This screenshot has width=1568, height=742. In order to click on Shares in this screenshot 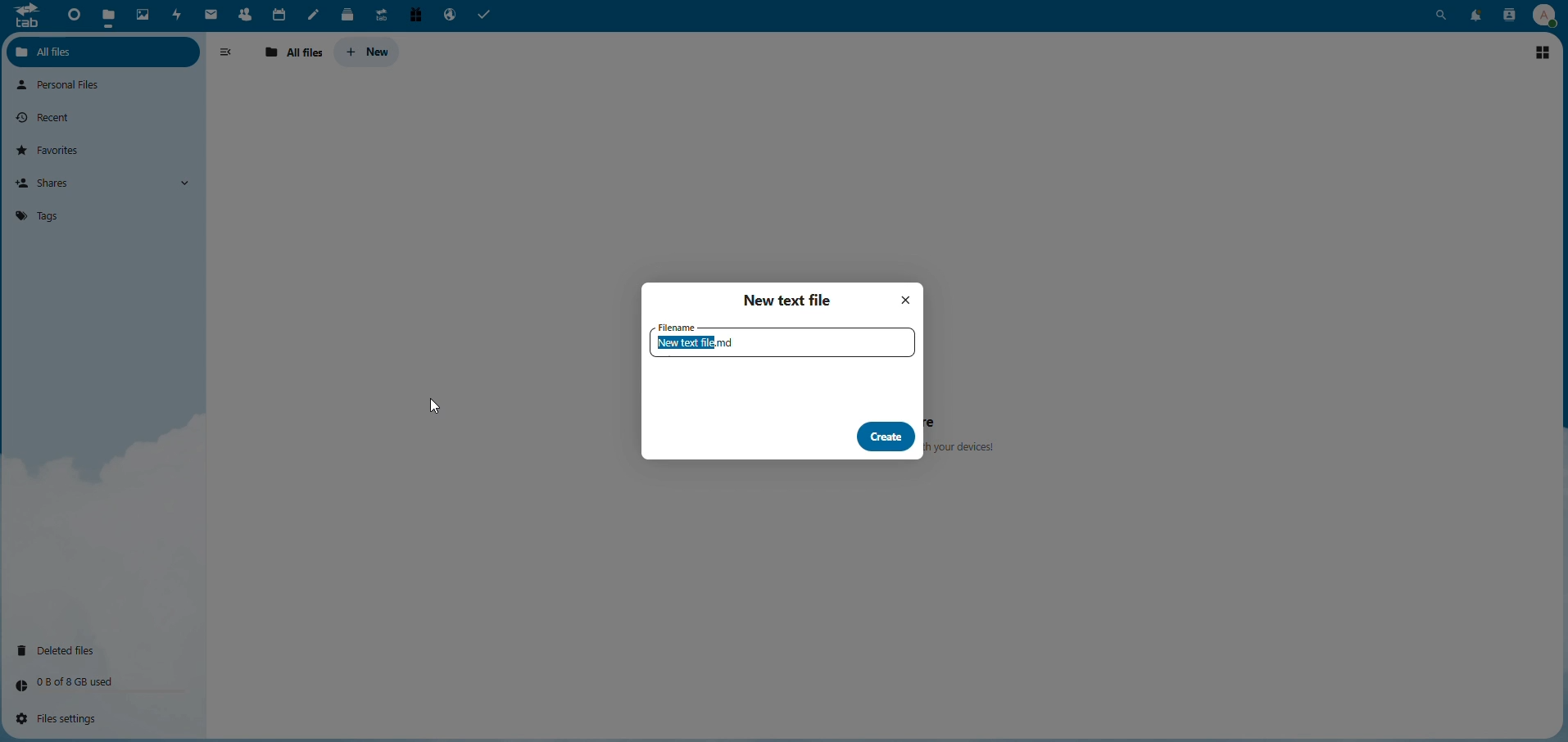, I will do `click(51, 183)`.